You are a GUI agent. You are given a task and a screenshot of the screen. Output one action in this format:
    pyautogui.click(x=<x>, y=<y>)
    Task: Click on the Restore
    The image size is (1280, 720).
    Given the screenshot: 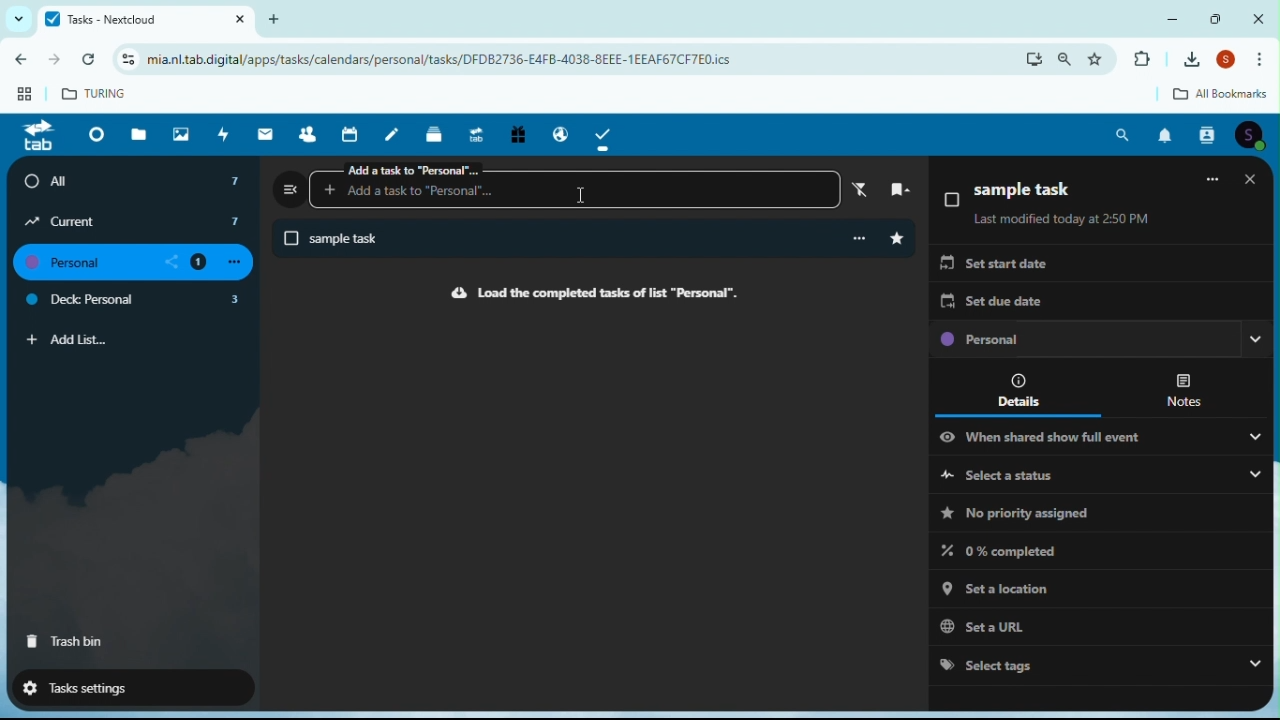 What is the action you would take?
    pyautogui.click(x=1218, y=18)
    